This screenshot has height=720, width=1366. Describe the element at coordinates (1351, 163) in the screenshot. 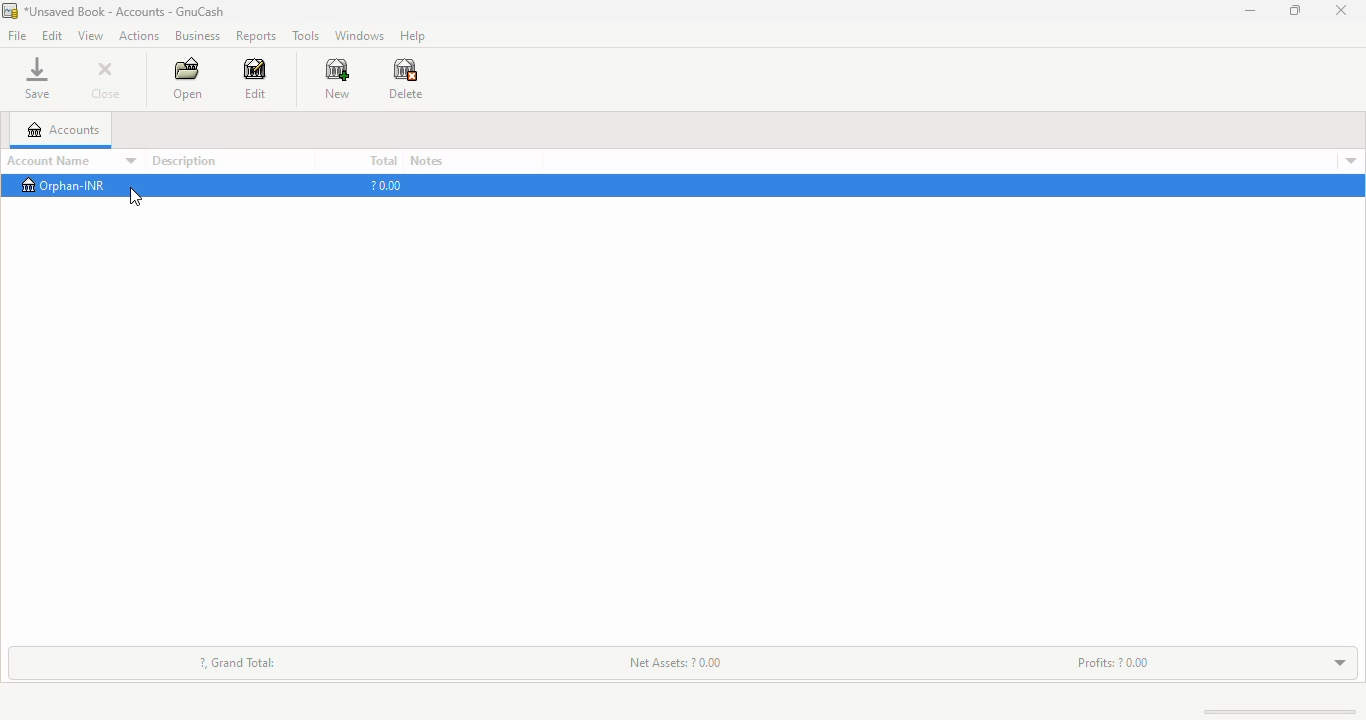

I see `account details` at that location.